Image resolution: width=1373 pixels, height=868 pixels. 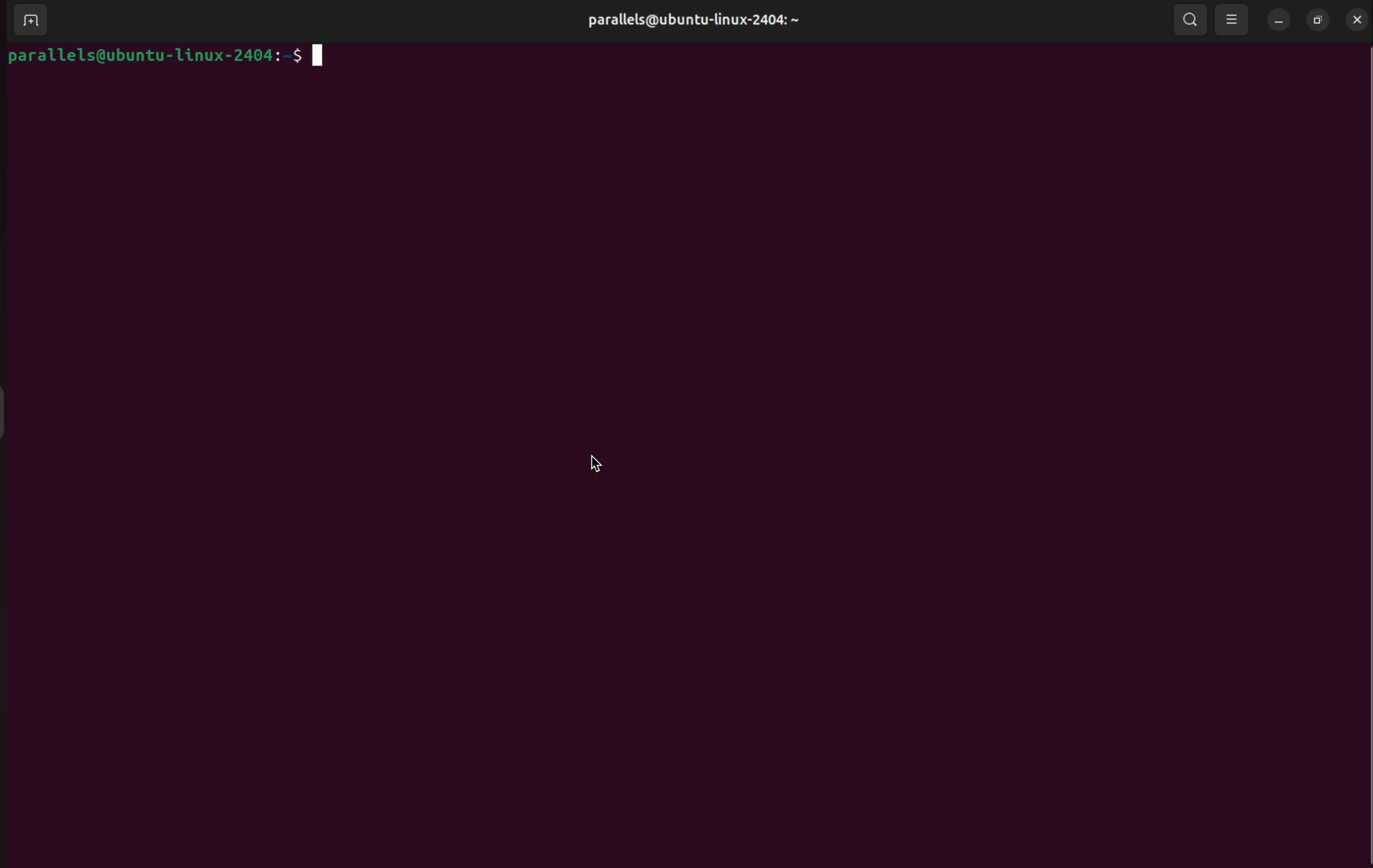 I want to click on cursor, so click(x=593, y=462).